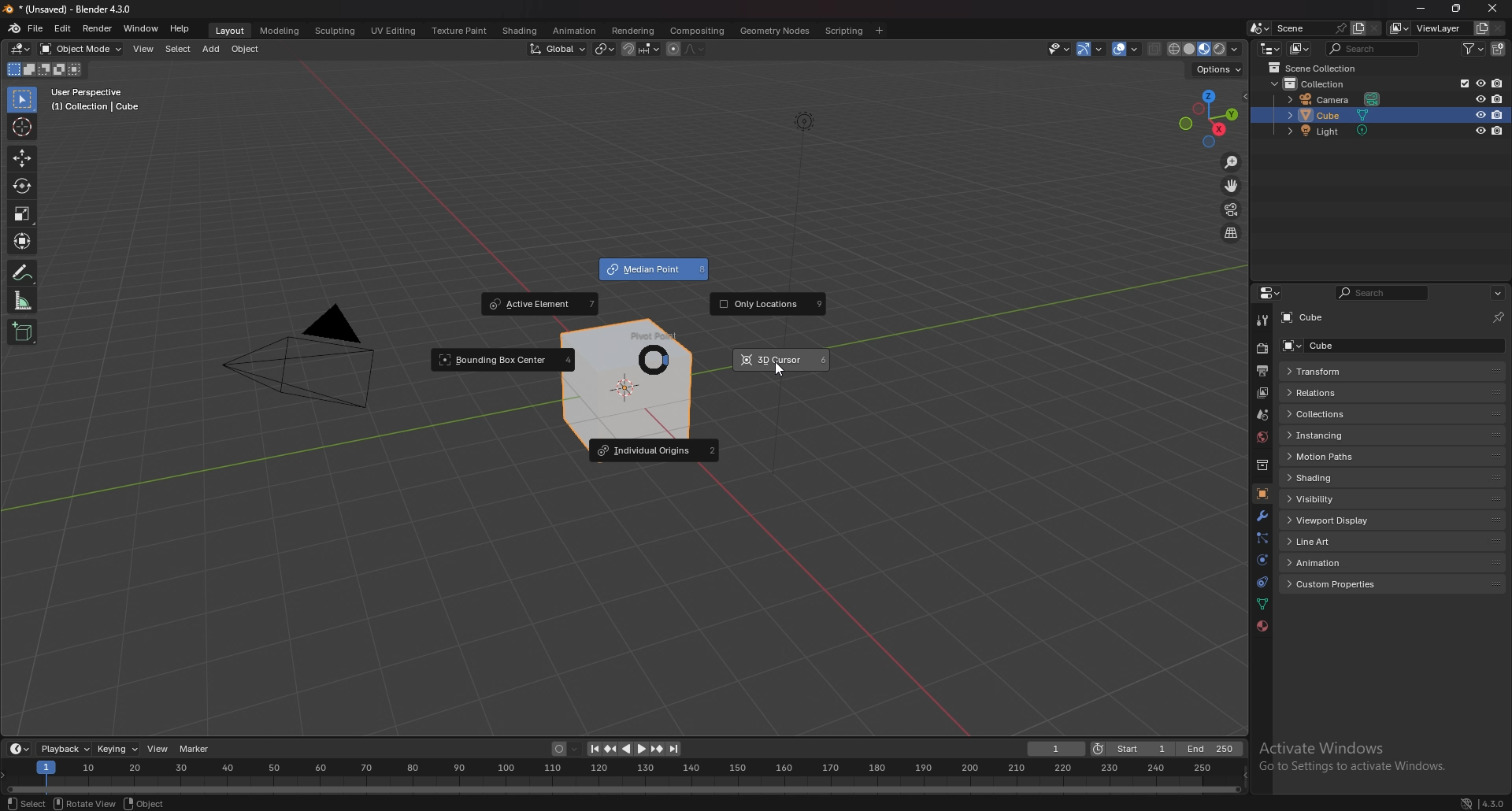  I want to click on marker, so click(195, 749).